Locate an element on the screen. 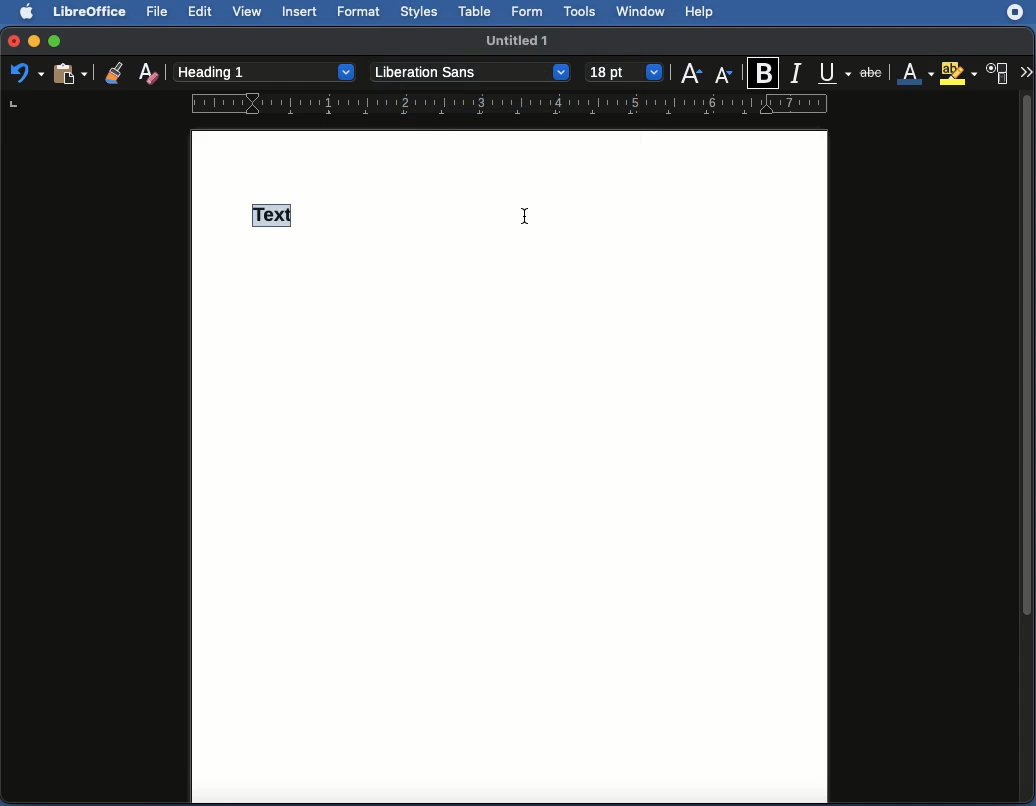 This screenshot has width=1036, height=806. 12 point is located at coordinates (629, 72).